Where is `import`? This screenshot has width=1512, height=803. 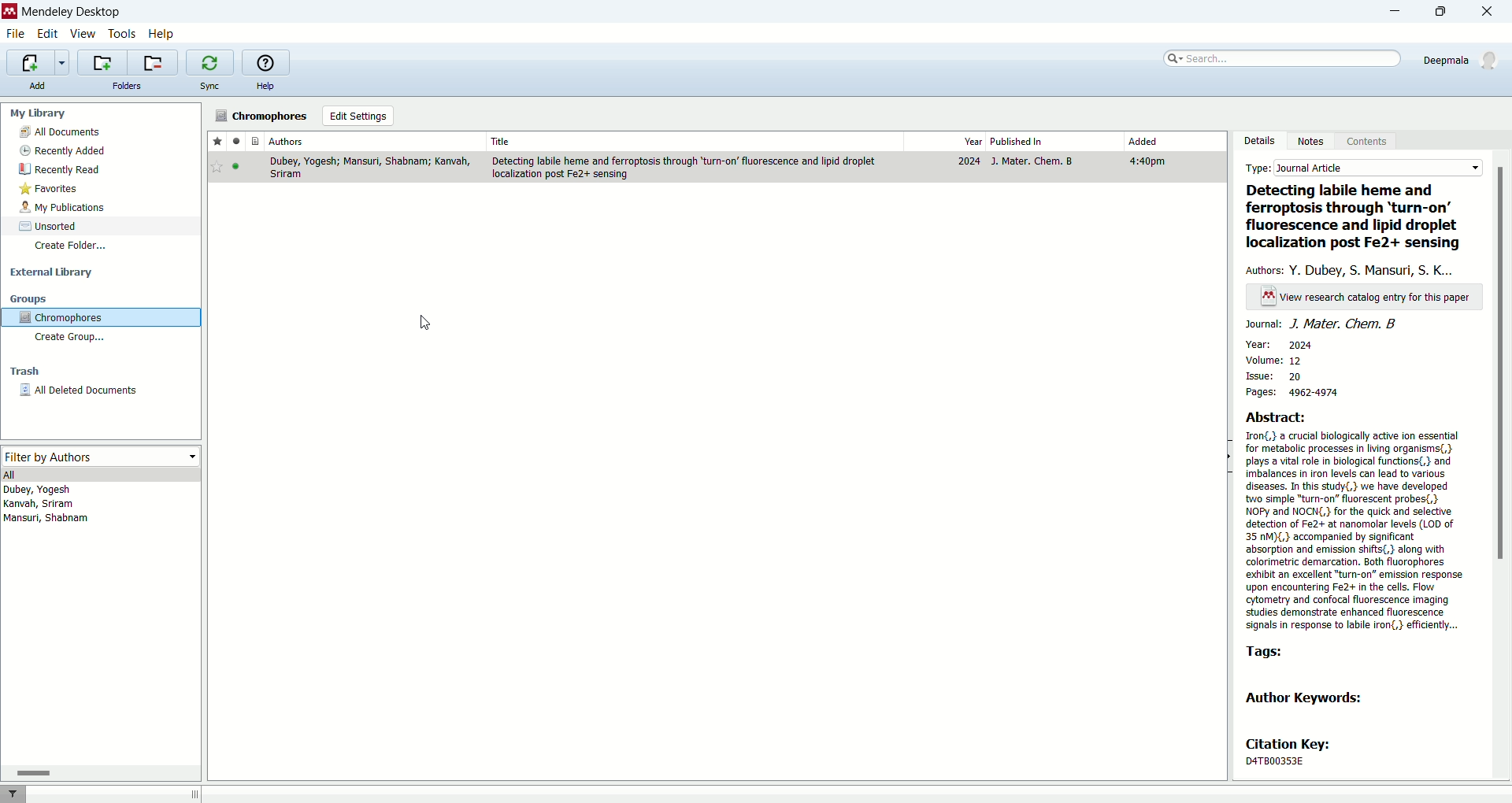 import is located at coordinates (38, 63).